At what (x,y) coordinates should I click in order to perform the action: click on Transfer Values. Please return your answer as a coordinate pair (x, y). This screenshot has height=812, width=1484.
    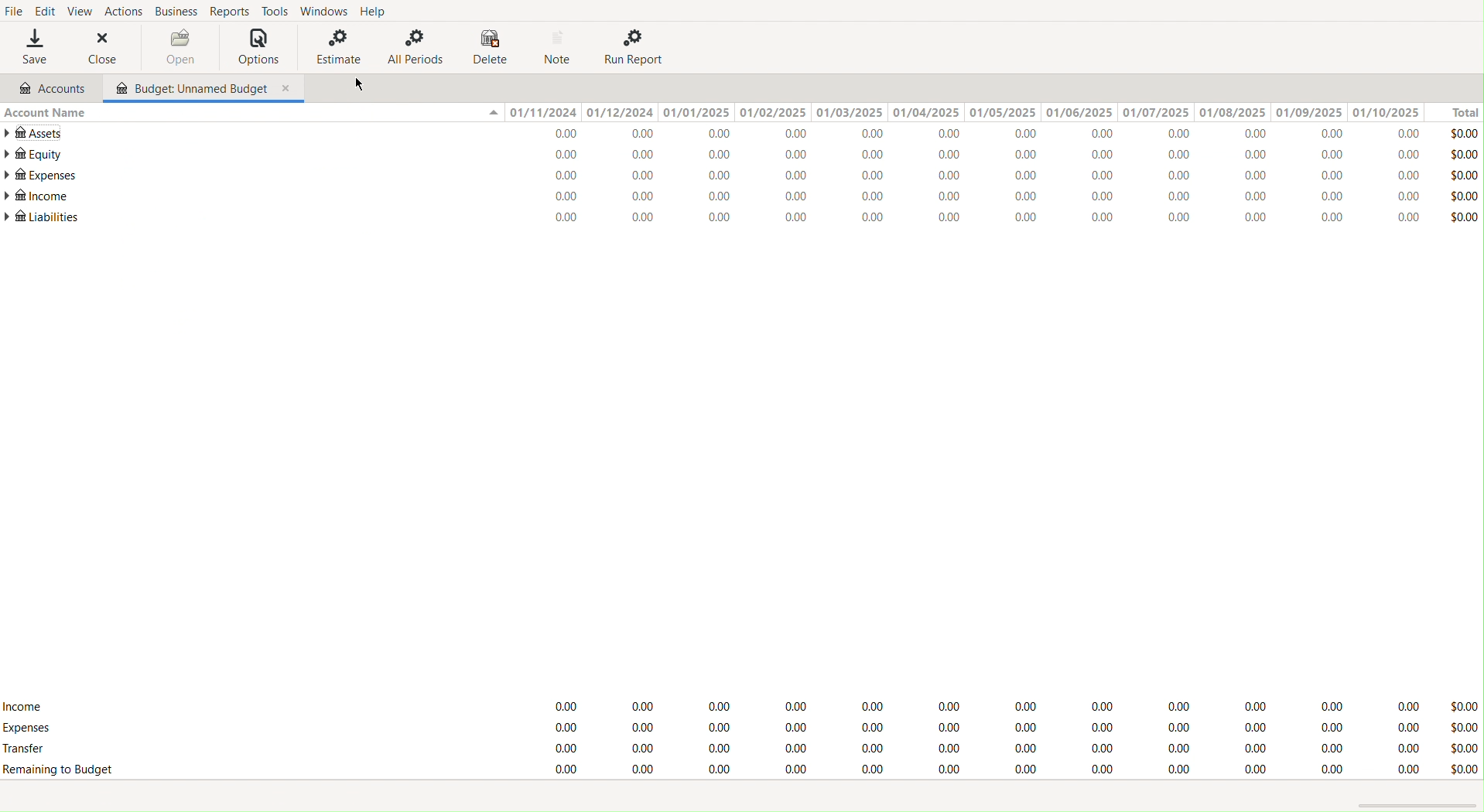
    Looking at the image, I should click on (977, 749).